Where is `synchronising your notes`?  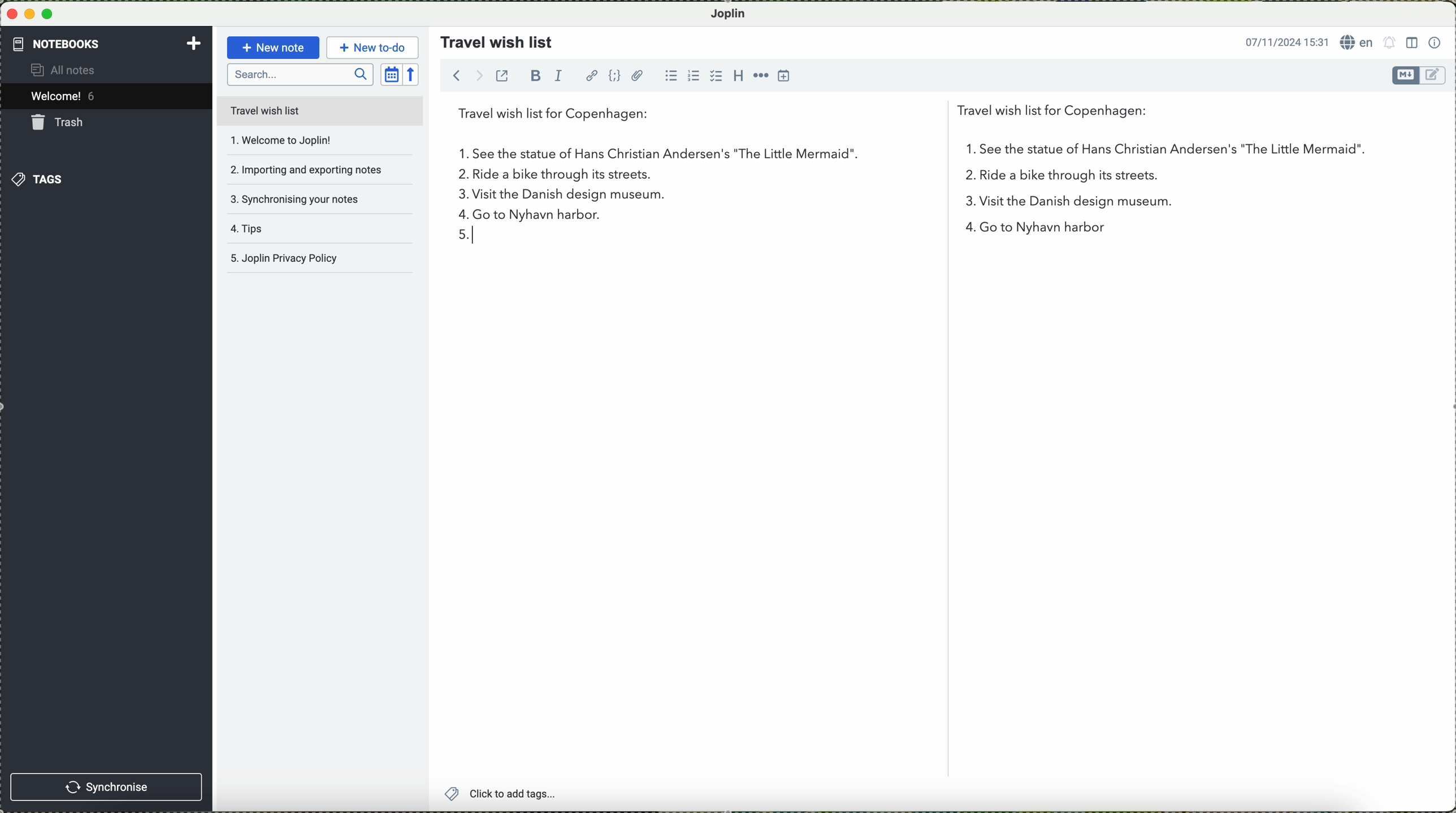 synchronising your notes is located at coordinates (304, 198).